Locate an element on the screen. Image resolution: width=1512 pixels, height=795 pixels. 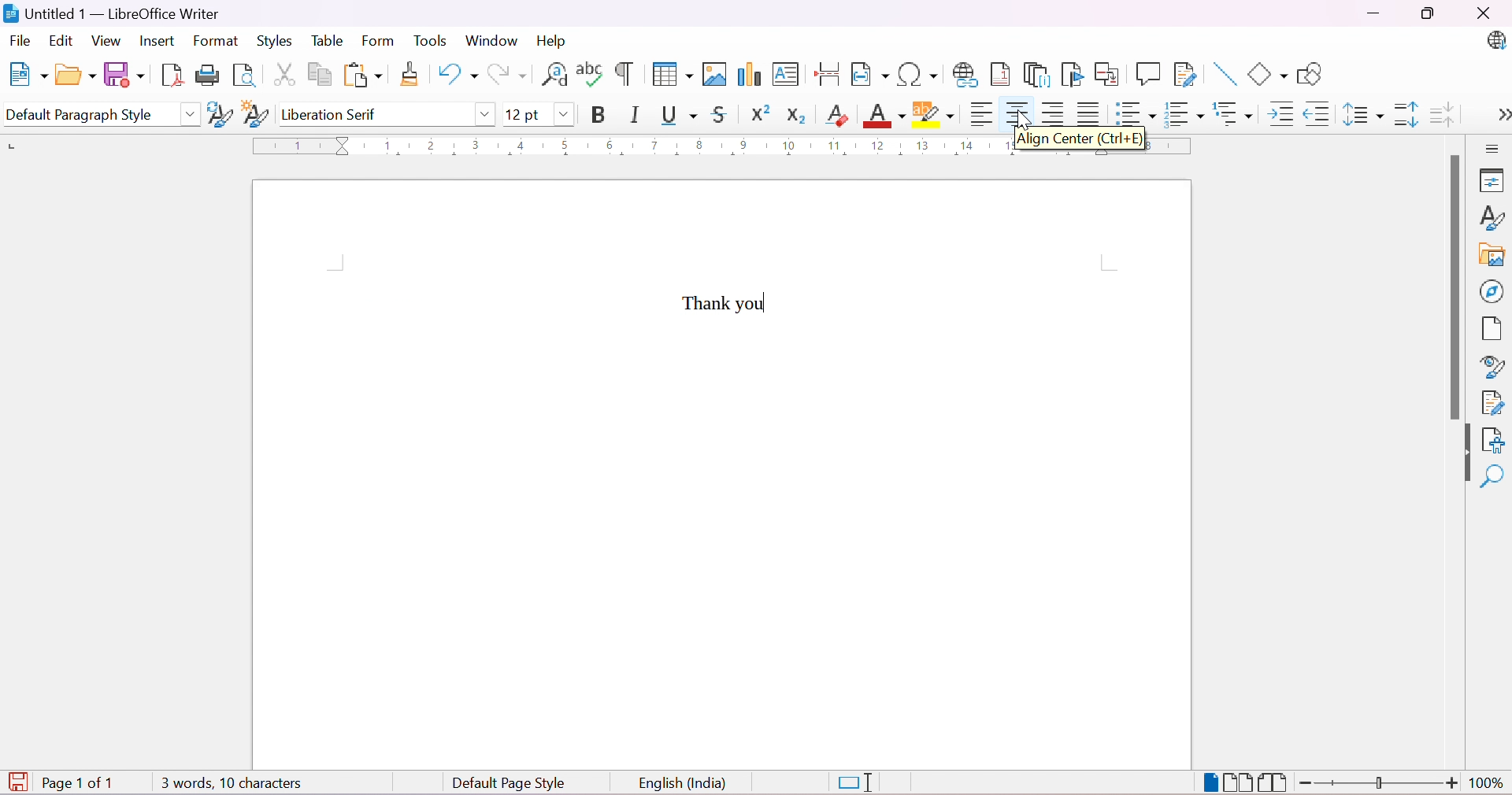
Drop Down is located at coordinates (190, 113).